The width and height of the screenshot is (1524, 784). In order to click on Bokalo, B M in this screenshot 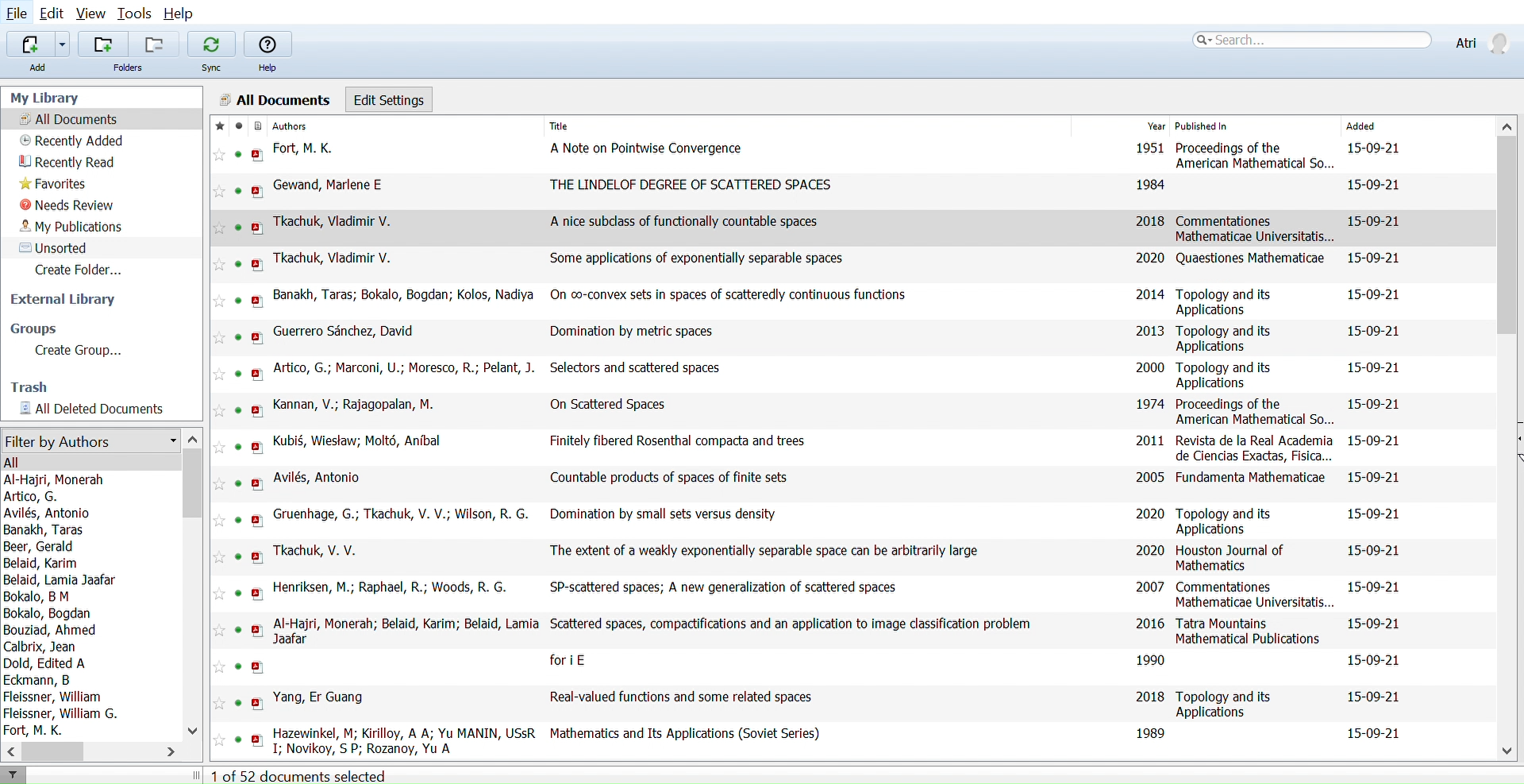, I will do `click(36, 597)`.